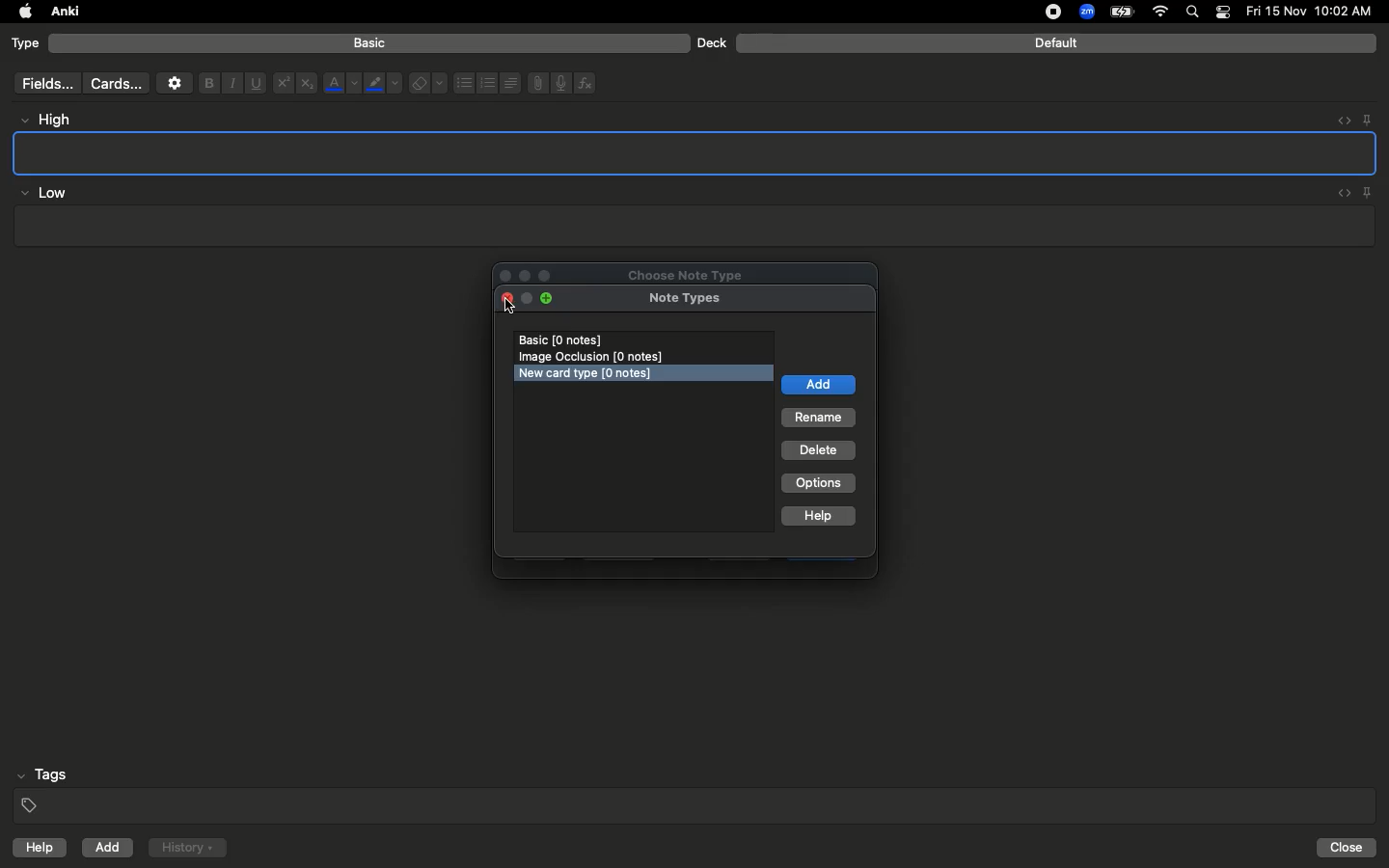 This screenshot has height=868, width=1389. Describe the element at coordinates (427, 84) in the screenshot. I see `Eraser` at that location.